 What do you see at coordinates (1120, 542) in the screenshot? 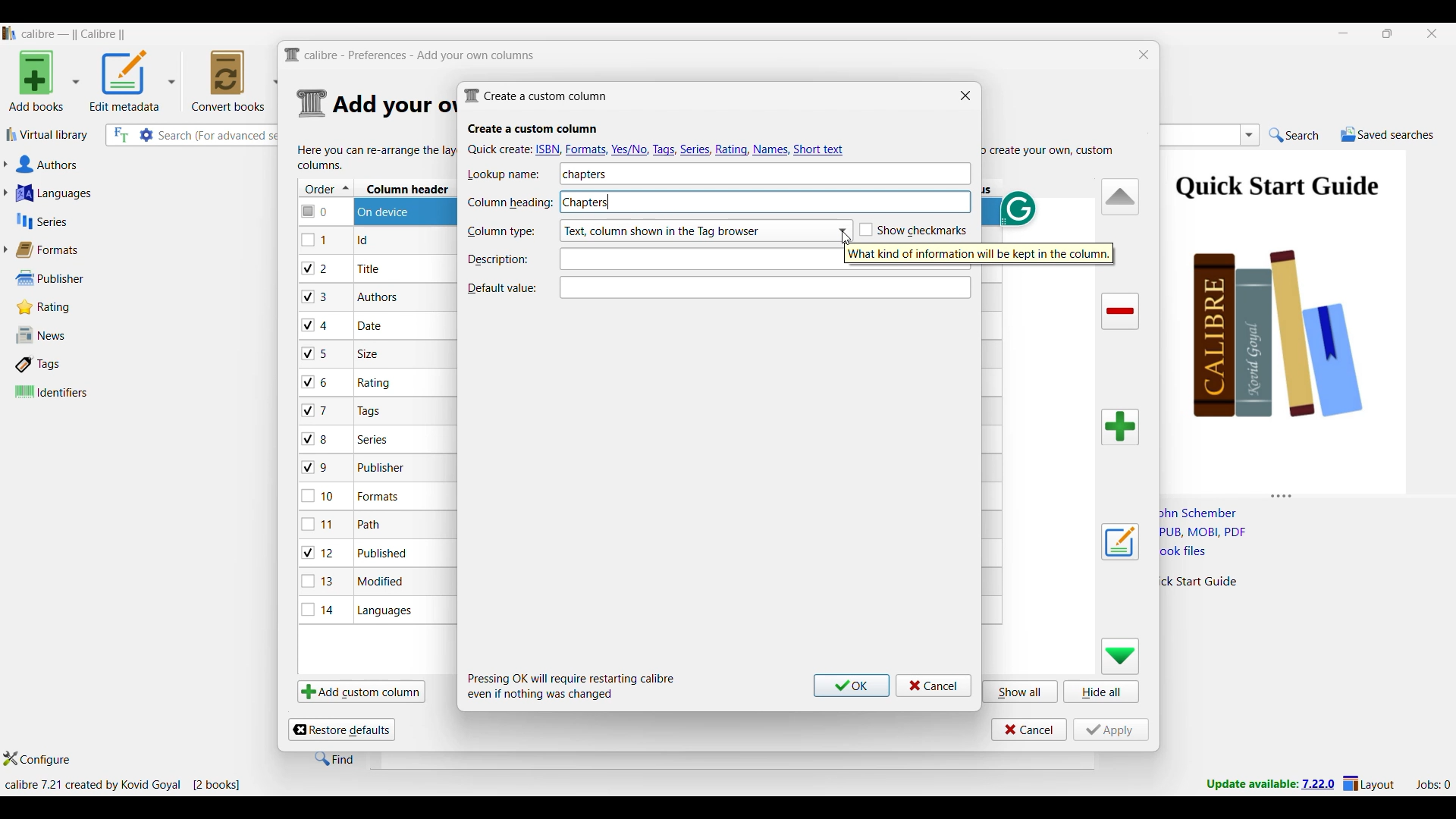
I see `Edit settings of a user defined column` at bounding box center [1120, 542].